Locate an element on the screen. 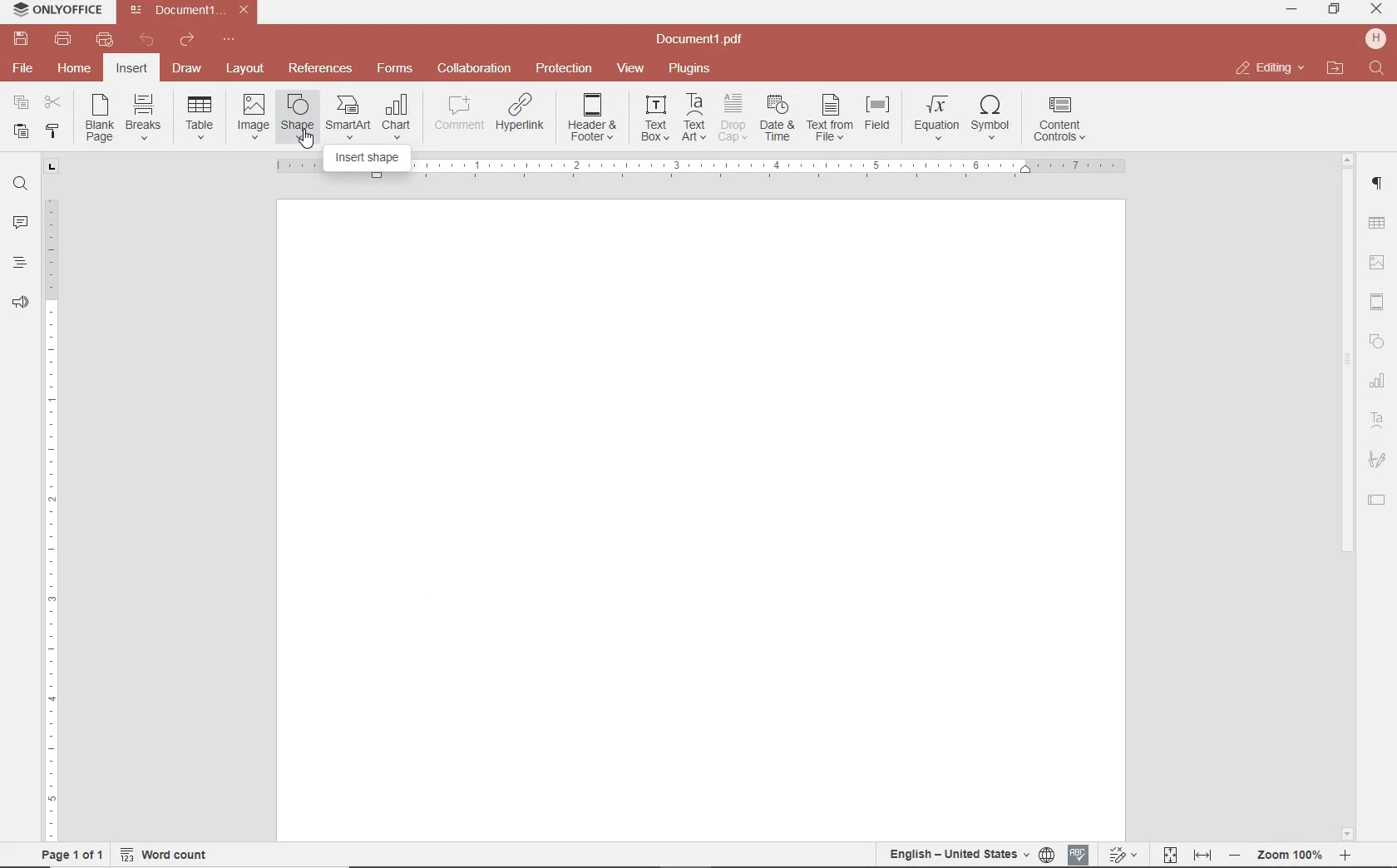  find is located at coordinates (1379, 69).